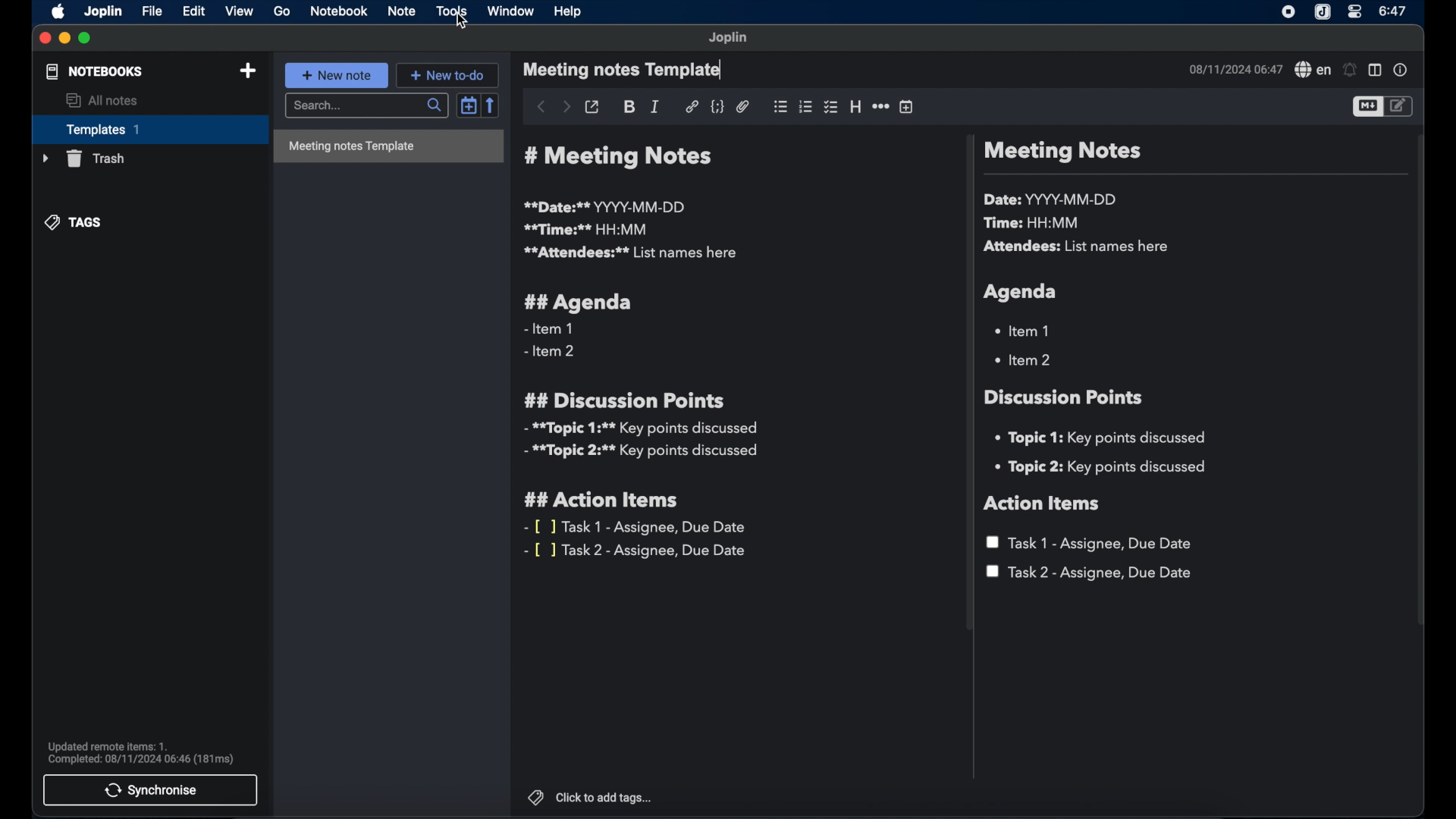 The width and height of the screenshot is (1456, 819). What do you see at coordinates (1399, 106) in the screenshot?
I see `toggle editor` at bounding box center [1399, 106].